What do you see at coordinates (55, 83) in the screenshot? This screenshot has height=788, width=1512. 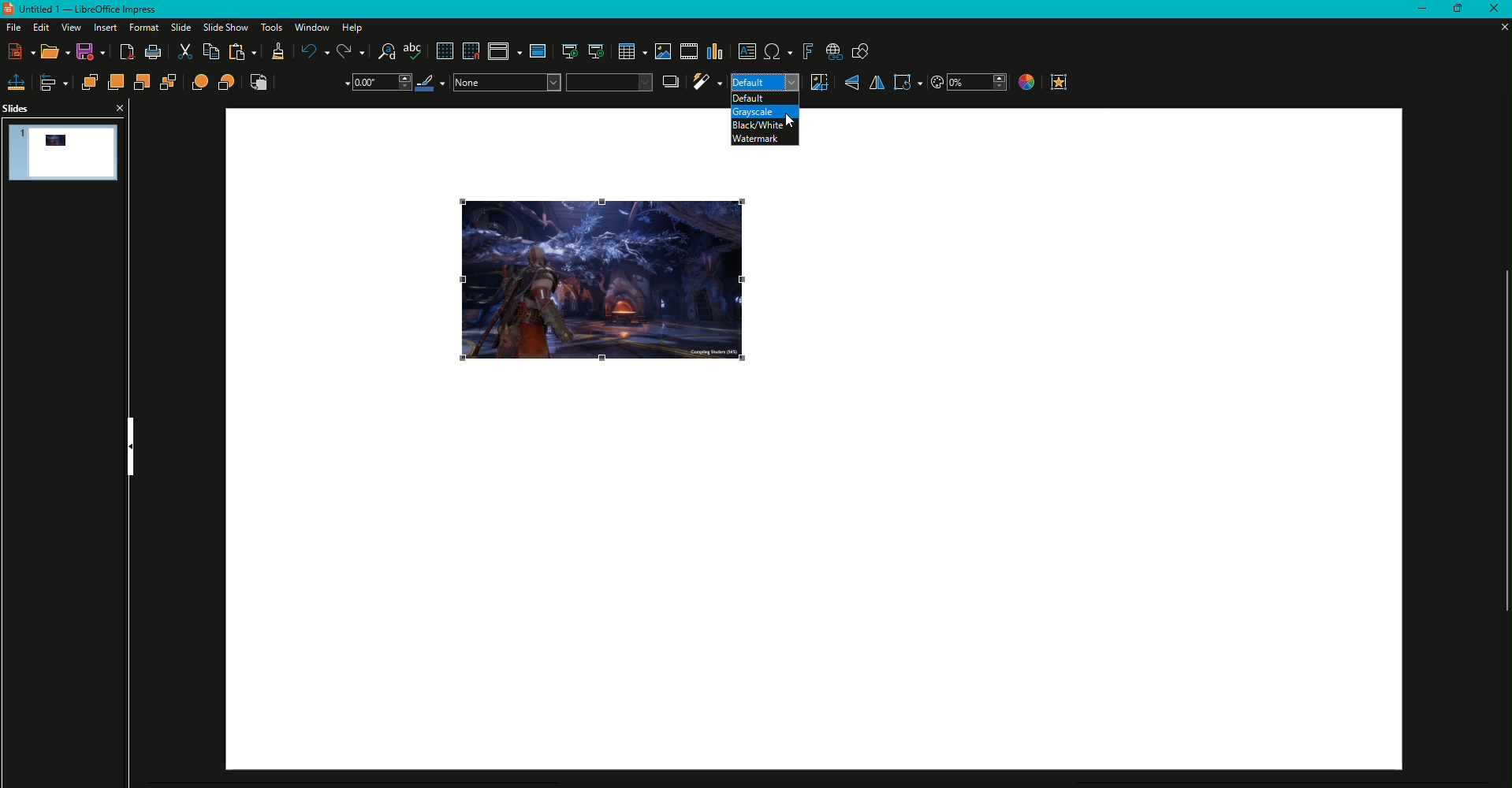 I see `Align Objects` at bounding box center [55, 83].